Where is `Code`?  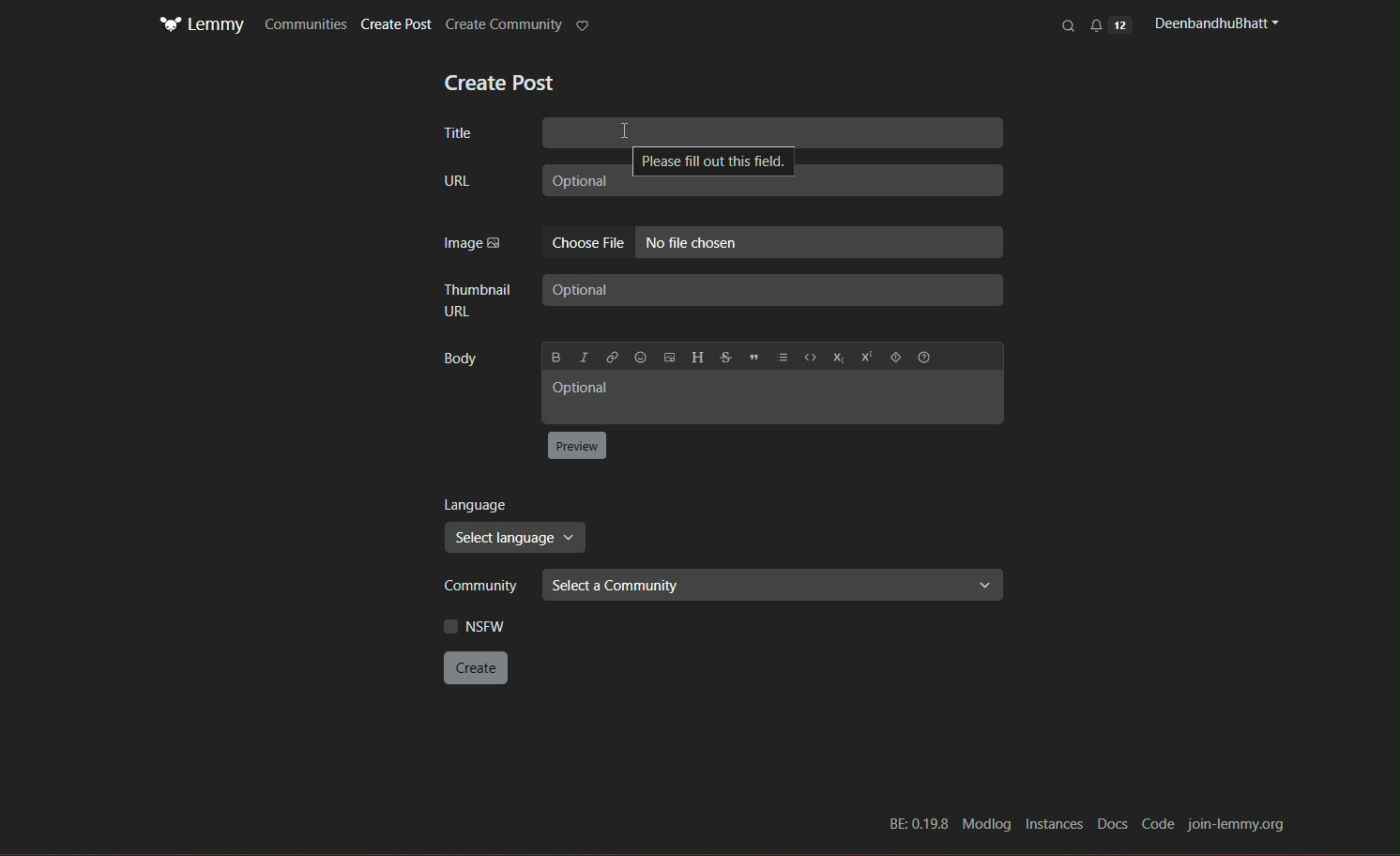
Code is located at coordinates (1158, 824).